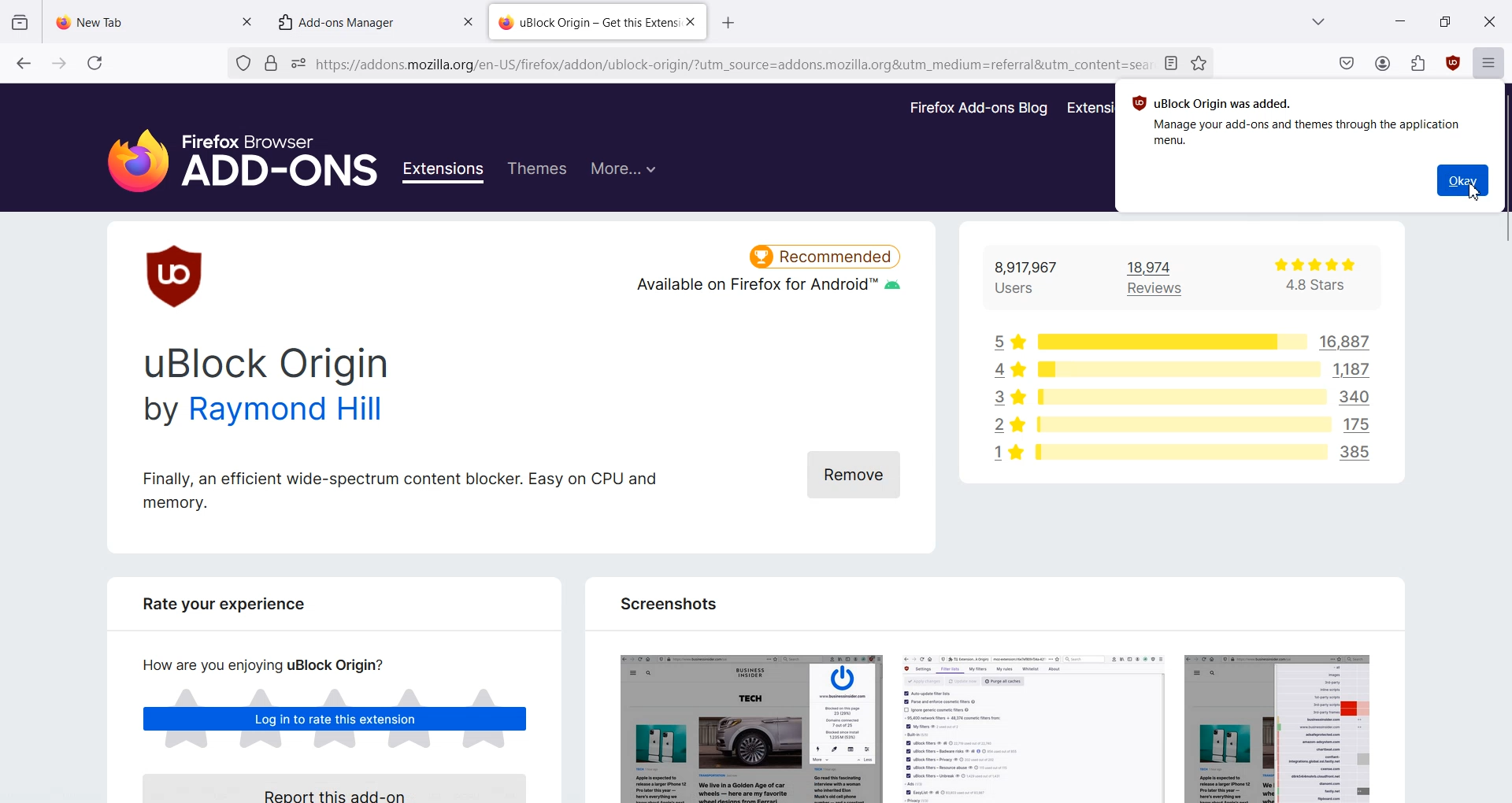 Image resolution: width=1512 pixels, height=803 pixels. What do you see at coordinates (825, 253) in the screenshot?
I see `Recommended` at bounding box center [825, 253].